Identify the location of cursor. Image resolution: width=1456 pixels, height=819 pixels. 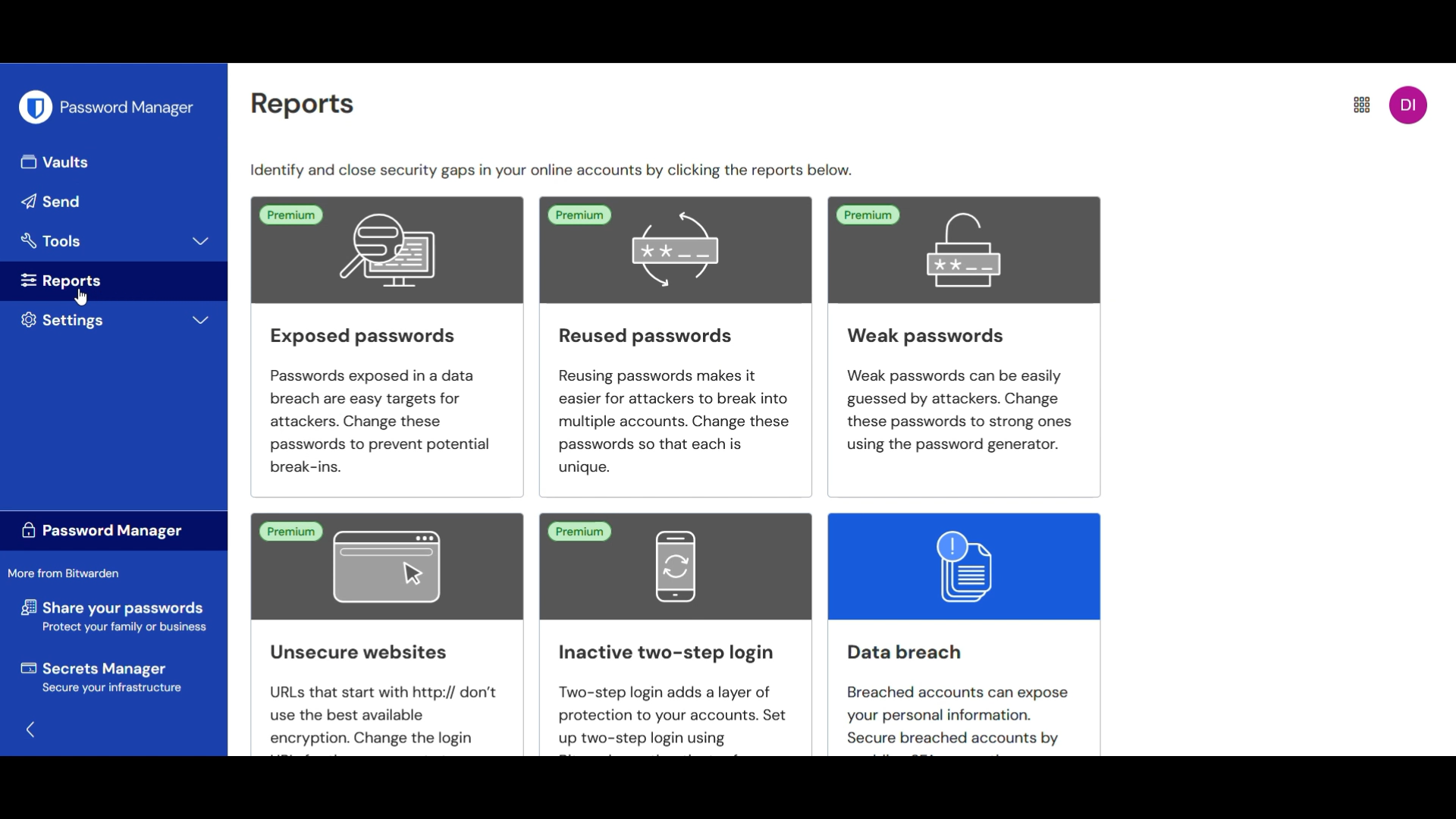
(81, 298).